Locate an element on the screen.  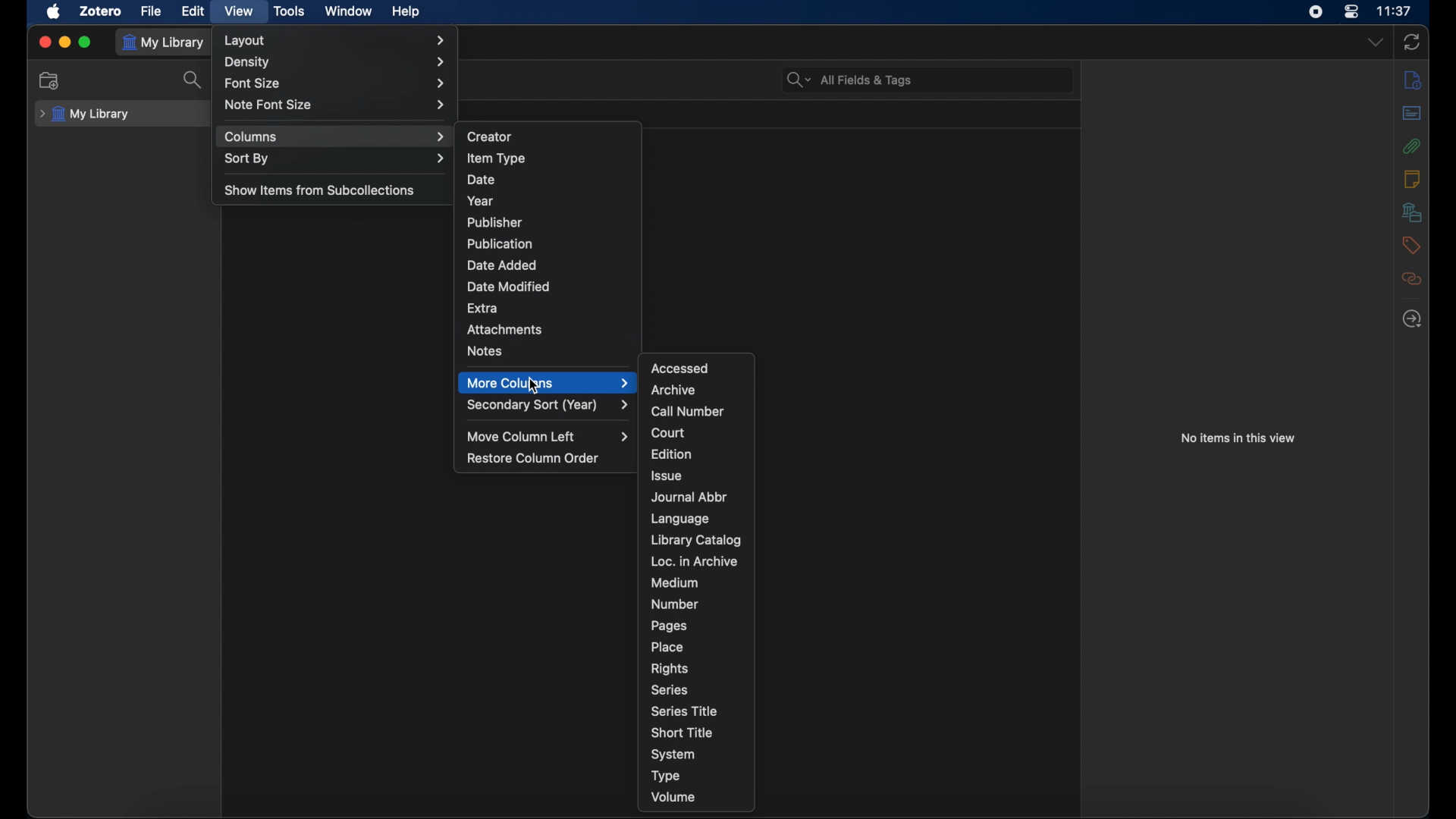
tools is located at coordinates (290, 11).